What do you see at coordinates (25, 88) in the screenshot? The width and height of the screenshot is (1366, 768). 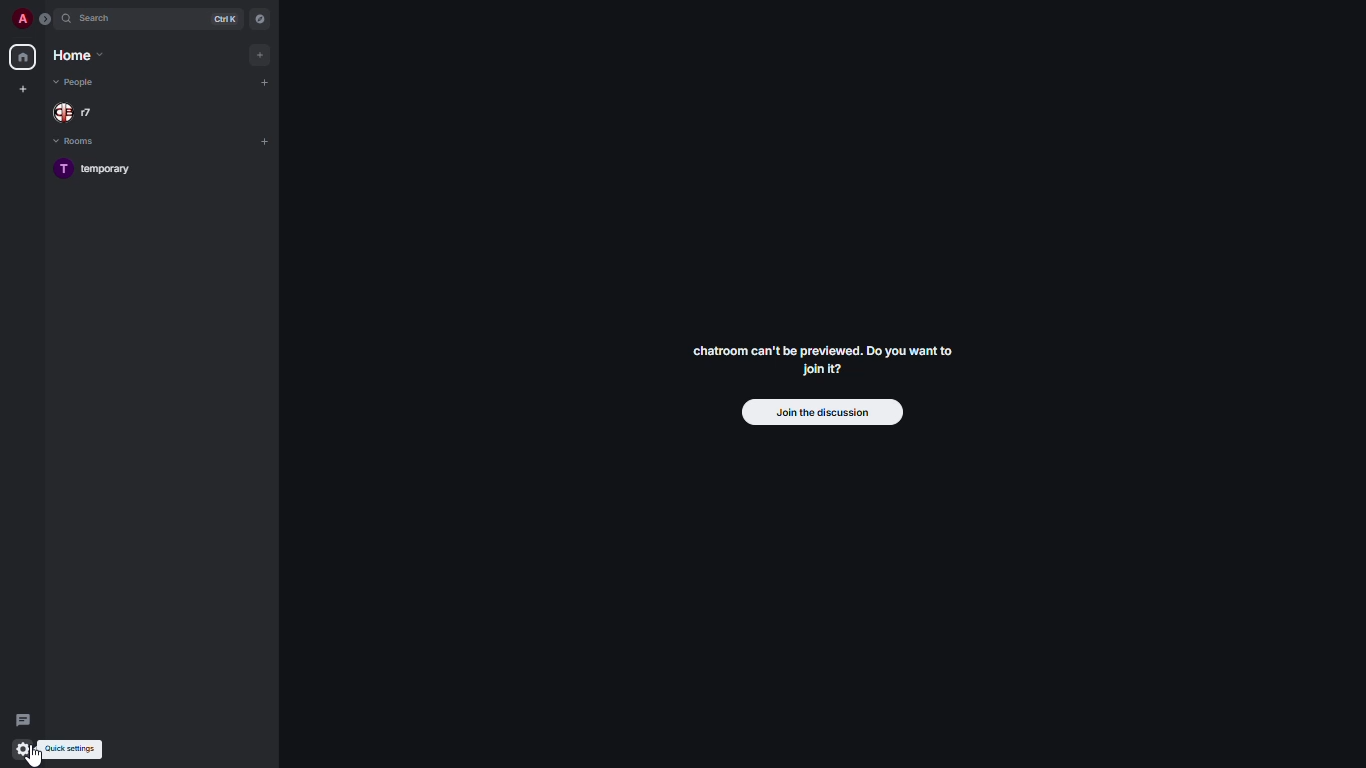 I see `create new space` at bounding box center [25, 88].